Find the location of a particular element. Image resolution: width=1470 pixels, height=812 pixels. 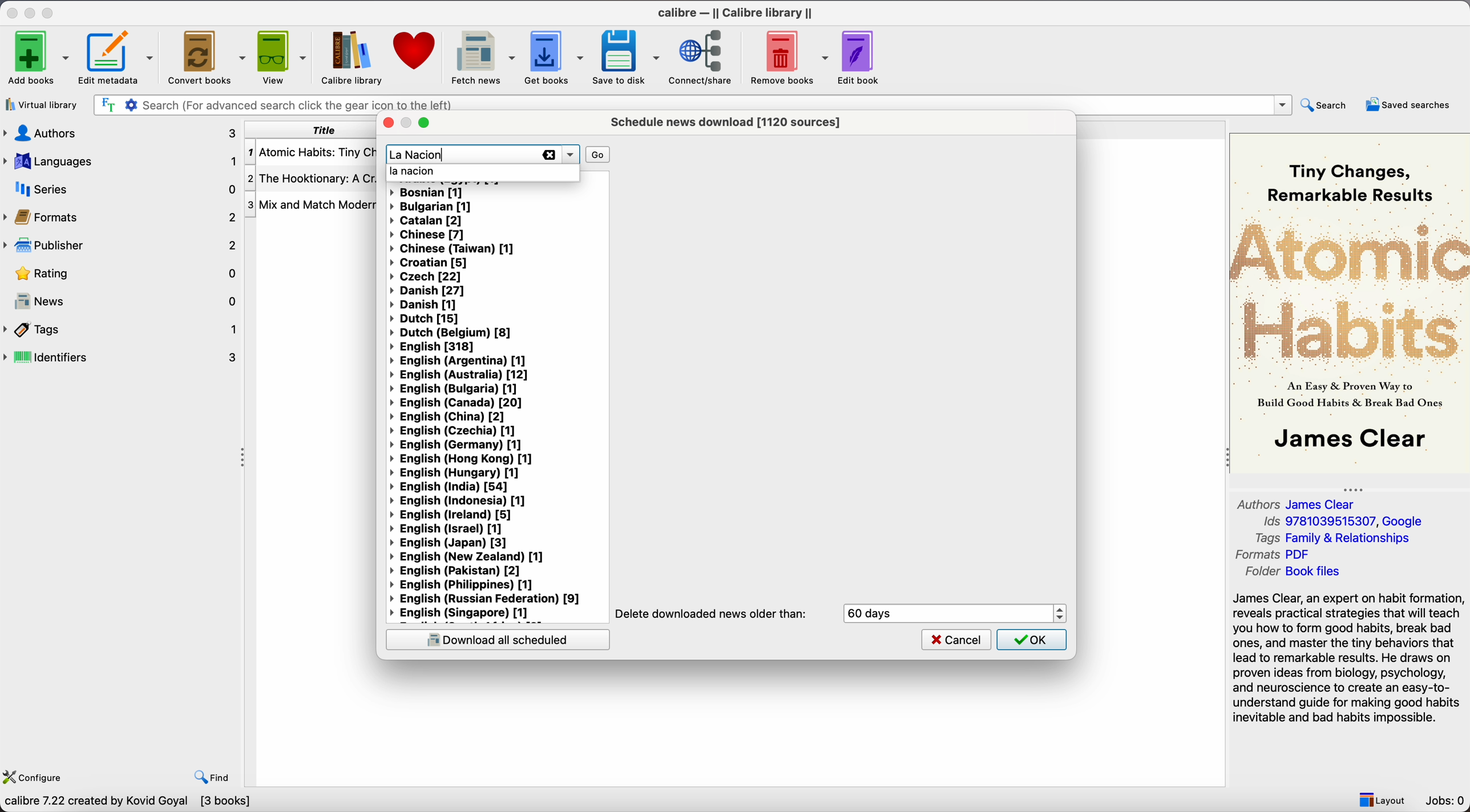

English (Bulgaria) [1] is located at coordinates (455, 388).